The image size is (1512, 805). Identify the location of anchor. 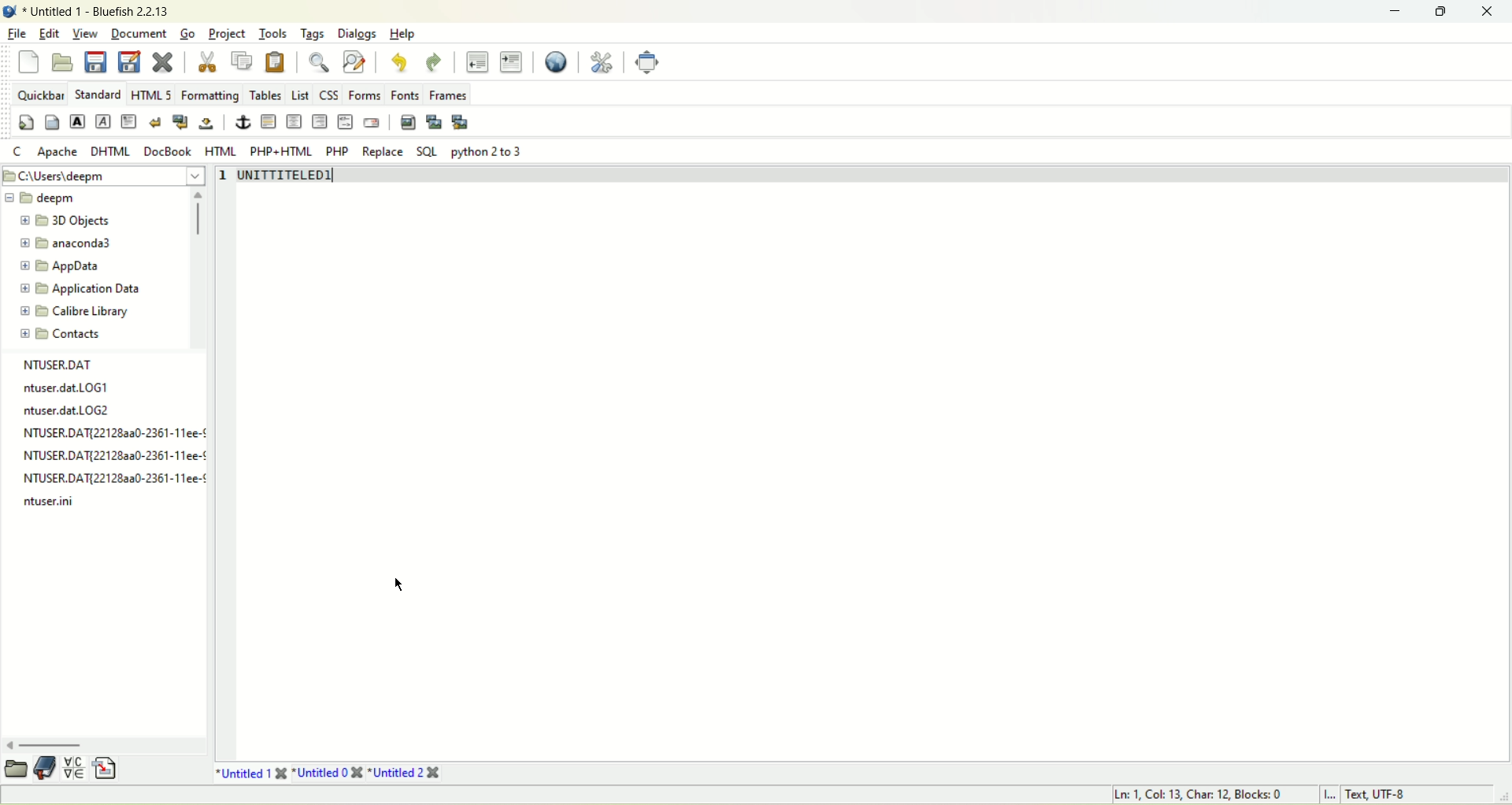
(241, 122).